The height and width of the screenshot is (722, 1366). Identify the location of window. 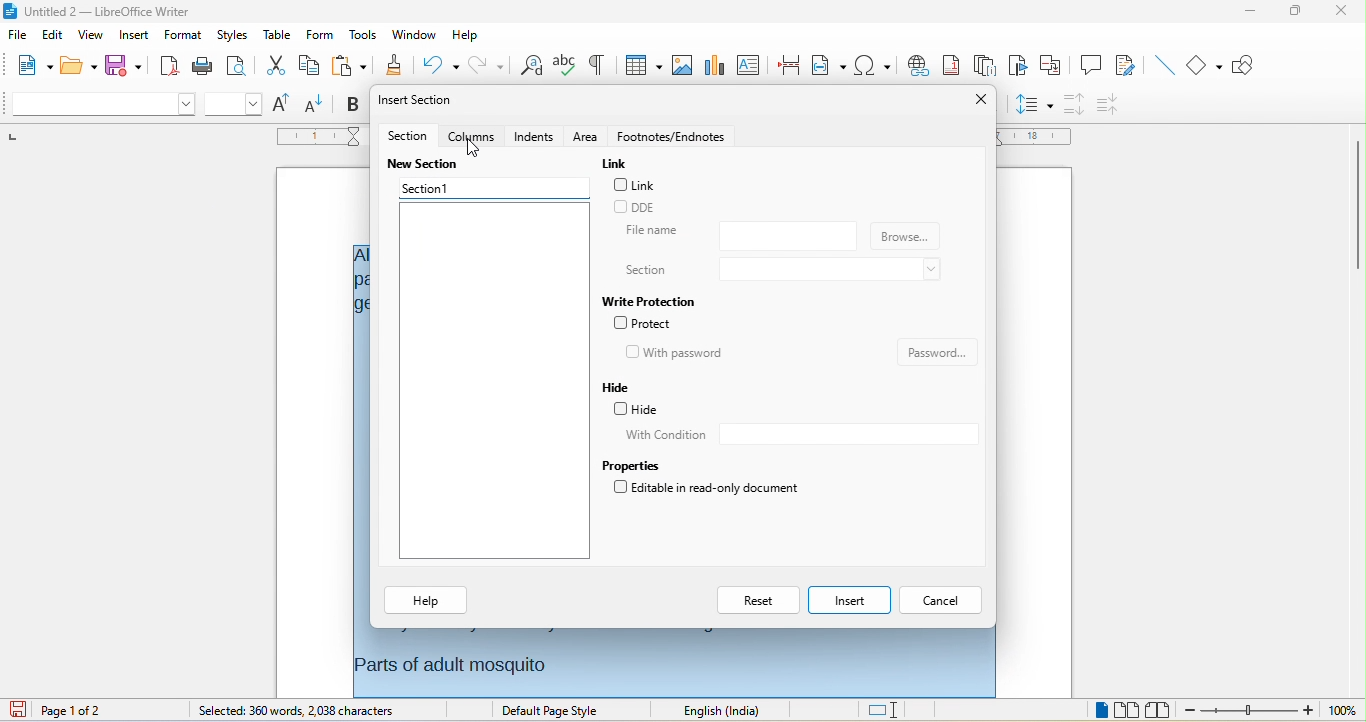
(414, 34).